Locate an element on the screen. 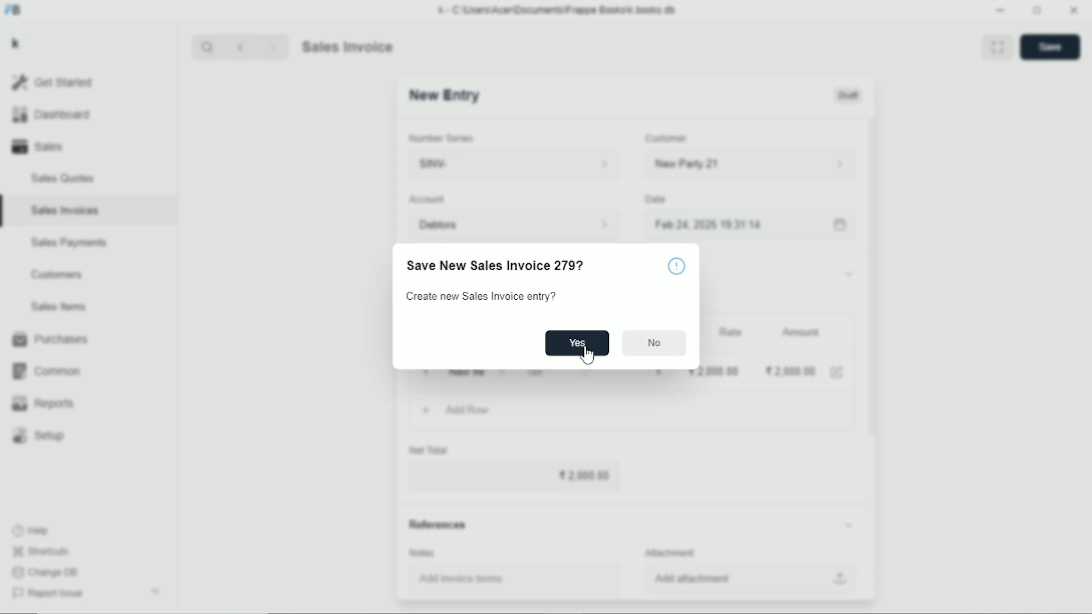 This screenshot has height=614, width=1092. Customer is located at coordinates (667, 139).